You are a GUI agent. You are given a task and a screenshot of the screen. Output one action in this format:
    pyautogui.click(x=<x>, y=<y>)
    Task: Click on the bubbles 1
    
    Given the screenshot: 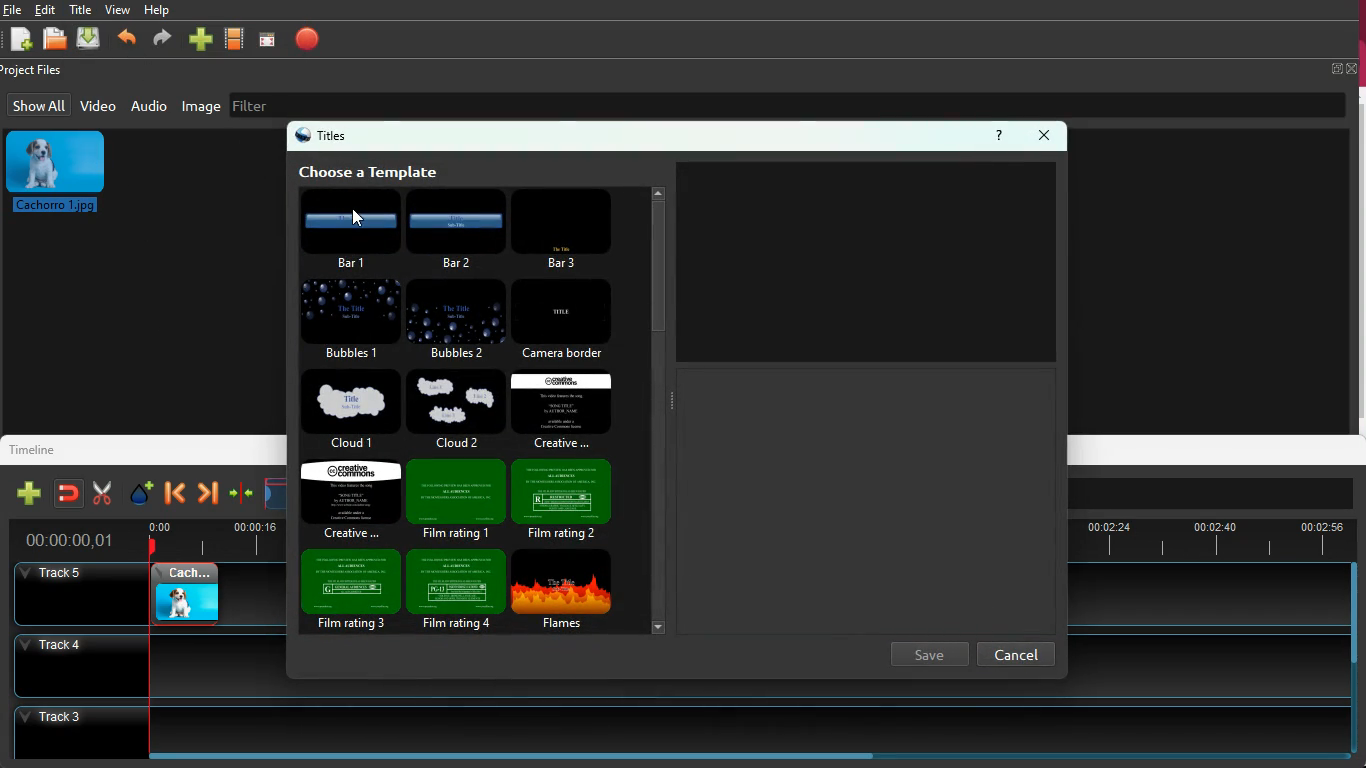 What is the action you would take?
    pyautogui.click(x=347, y=320)
    